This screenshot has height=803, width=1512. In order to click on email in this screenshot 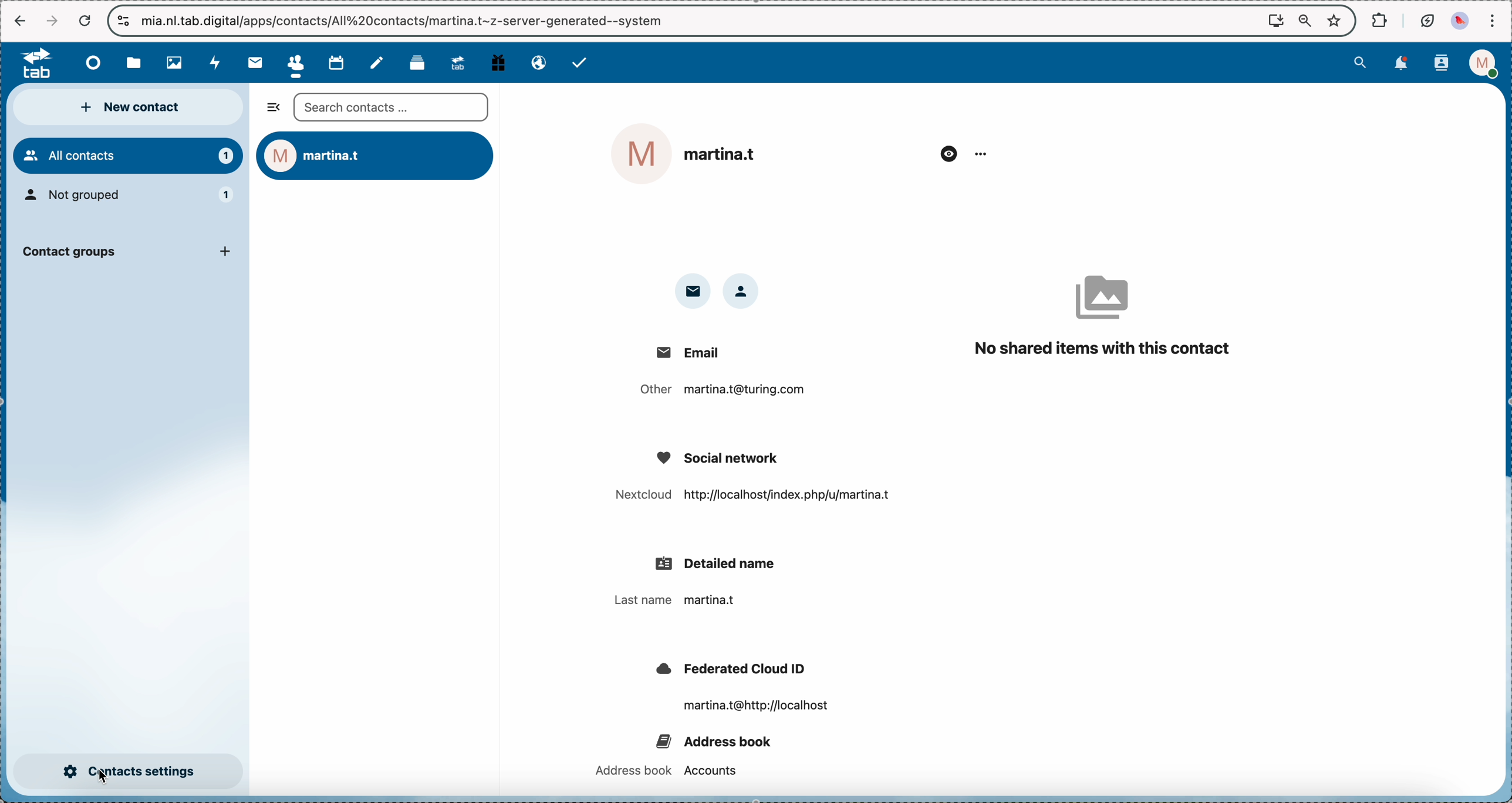, I will do `click(719, 375)`.